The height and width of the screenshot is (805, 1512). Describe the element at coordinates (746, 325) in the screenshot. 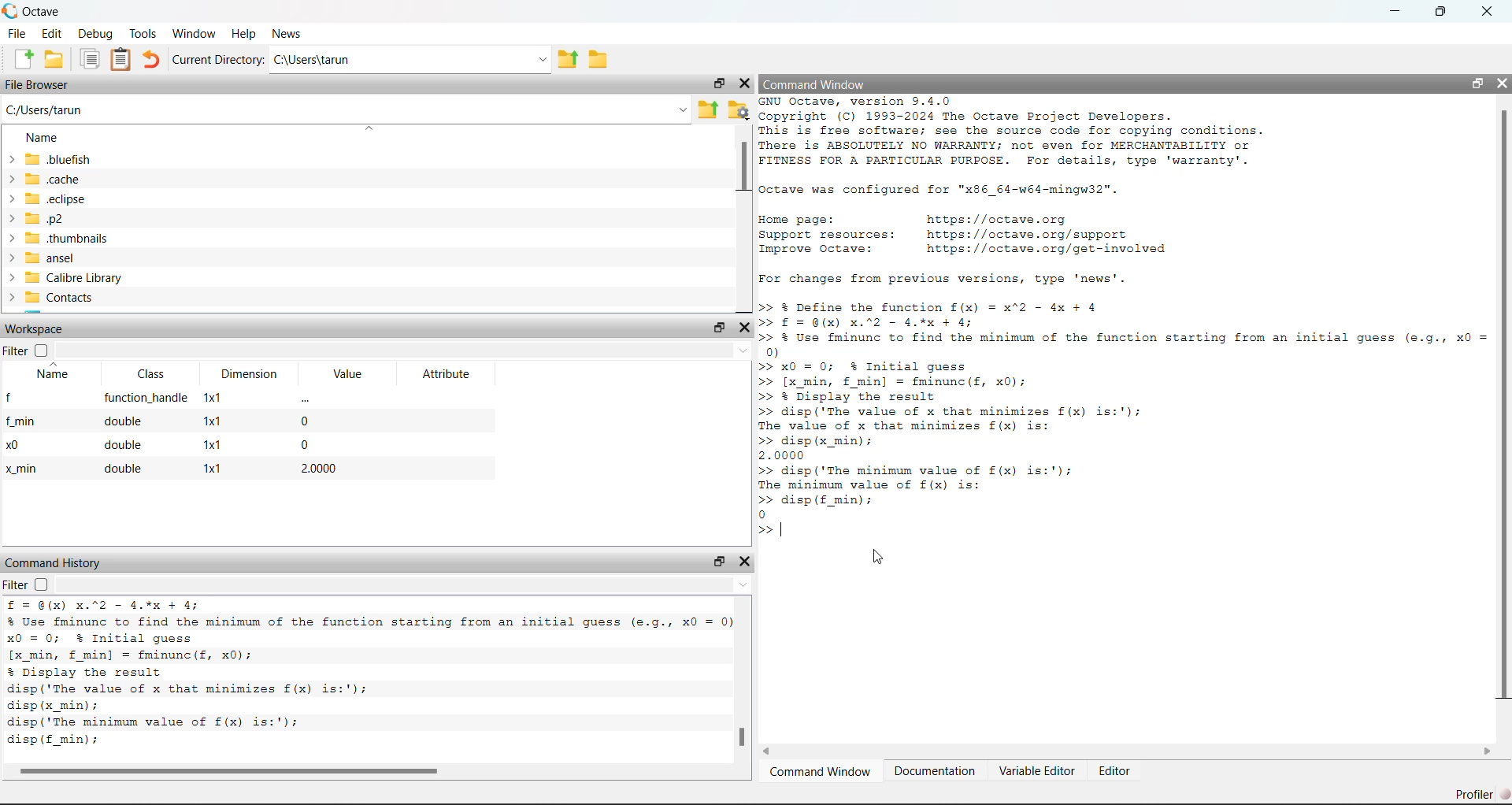

I see `Close` at that location.